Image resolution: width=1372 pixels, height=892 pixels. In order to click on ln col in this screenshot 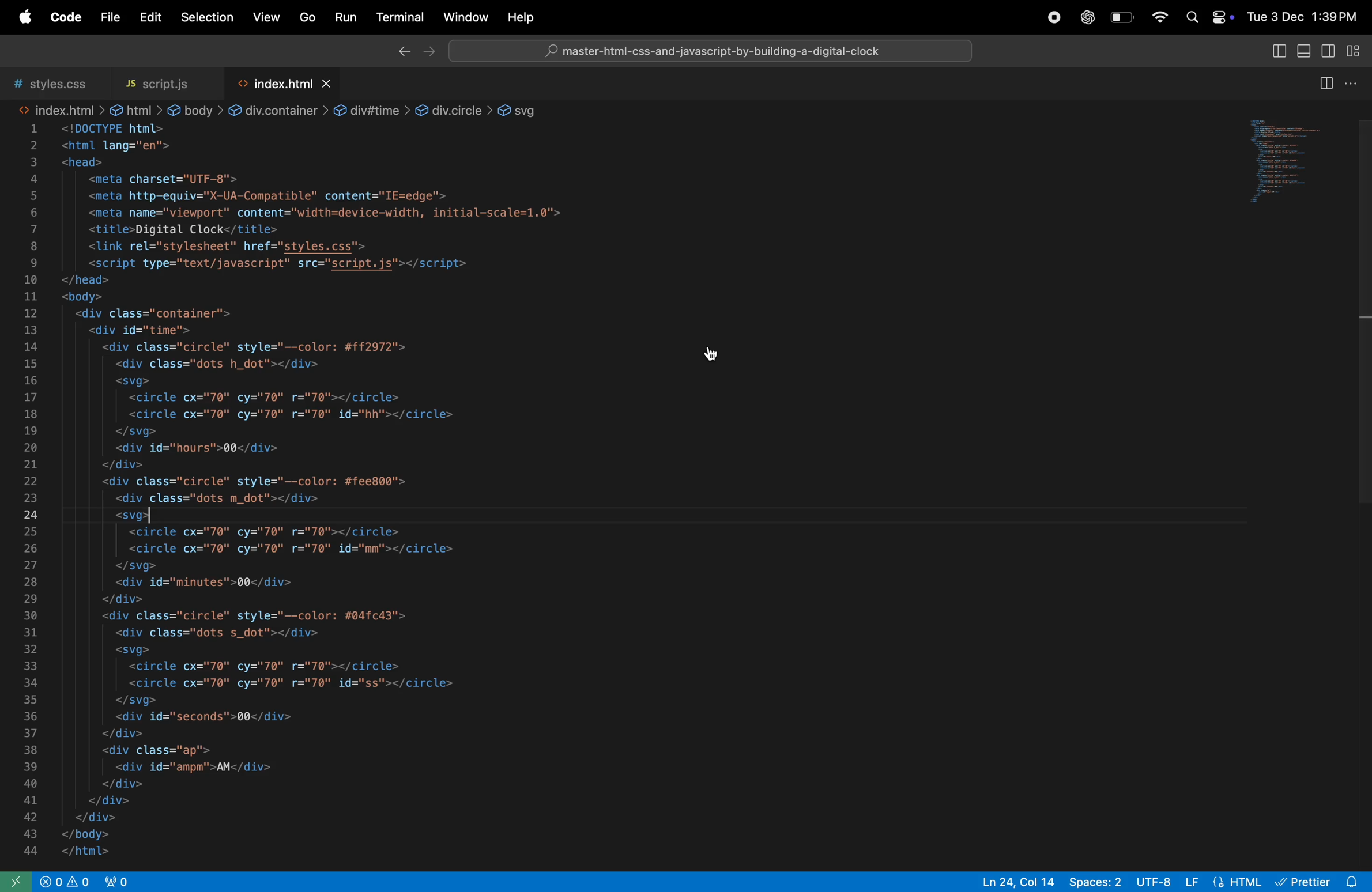, I will do `click(1011, 882)`.